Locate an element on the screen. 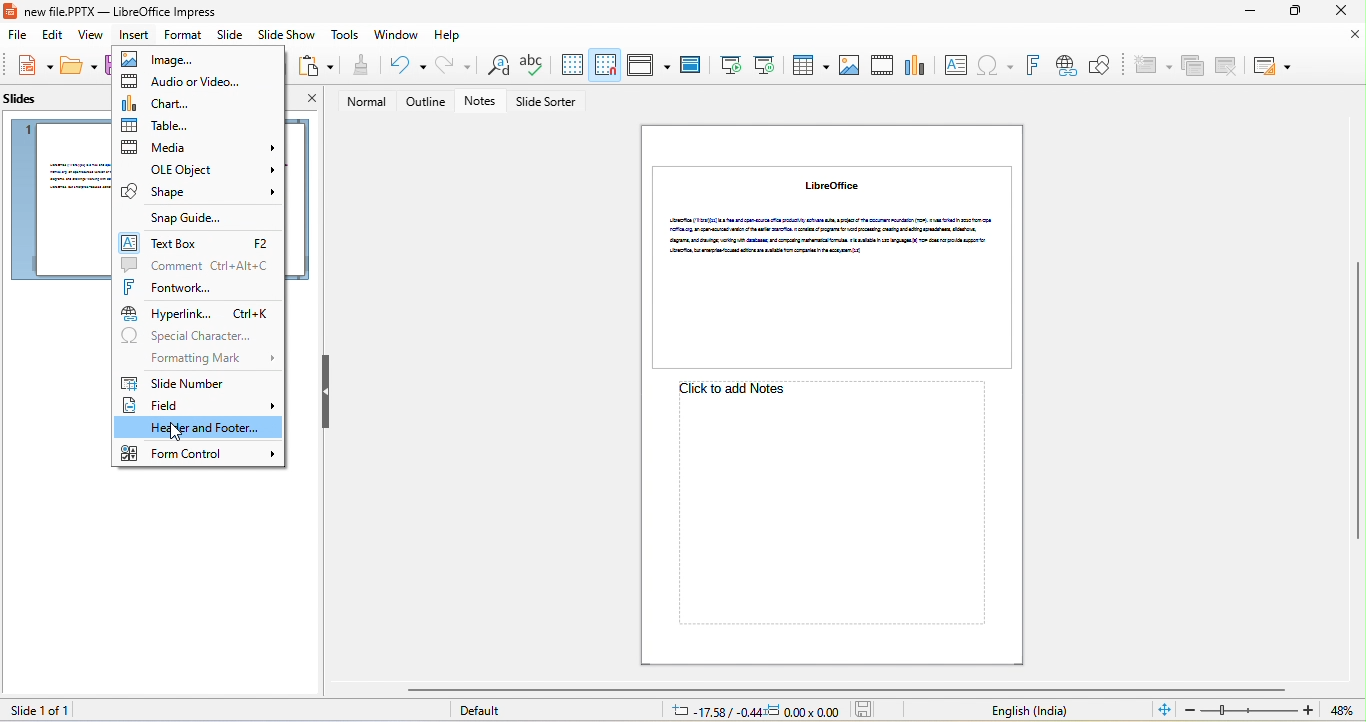 This screenshot has width=1366, height=722. dimension: 0.00x0.00 is located at coordinates (803, 711).